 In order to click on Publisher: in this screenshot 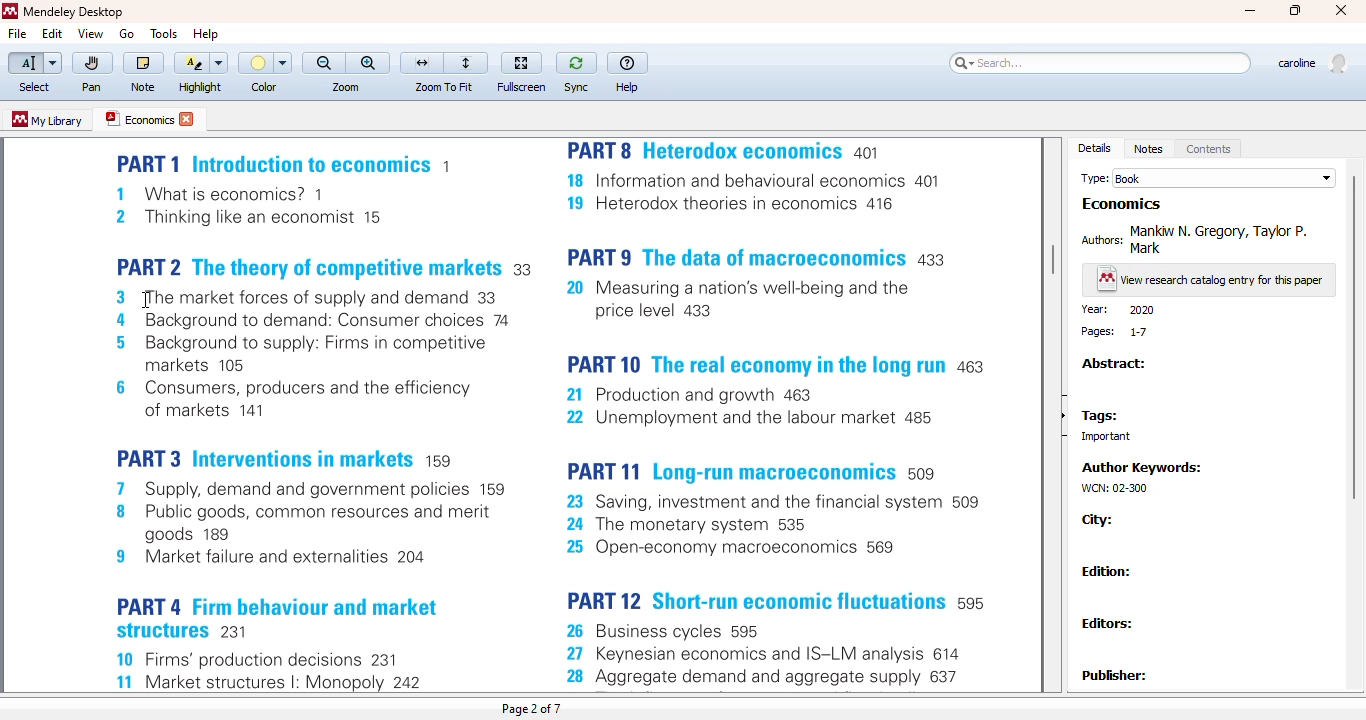, I will do `click(1116, 676)`.